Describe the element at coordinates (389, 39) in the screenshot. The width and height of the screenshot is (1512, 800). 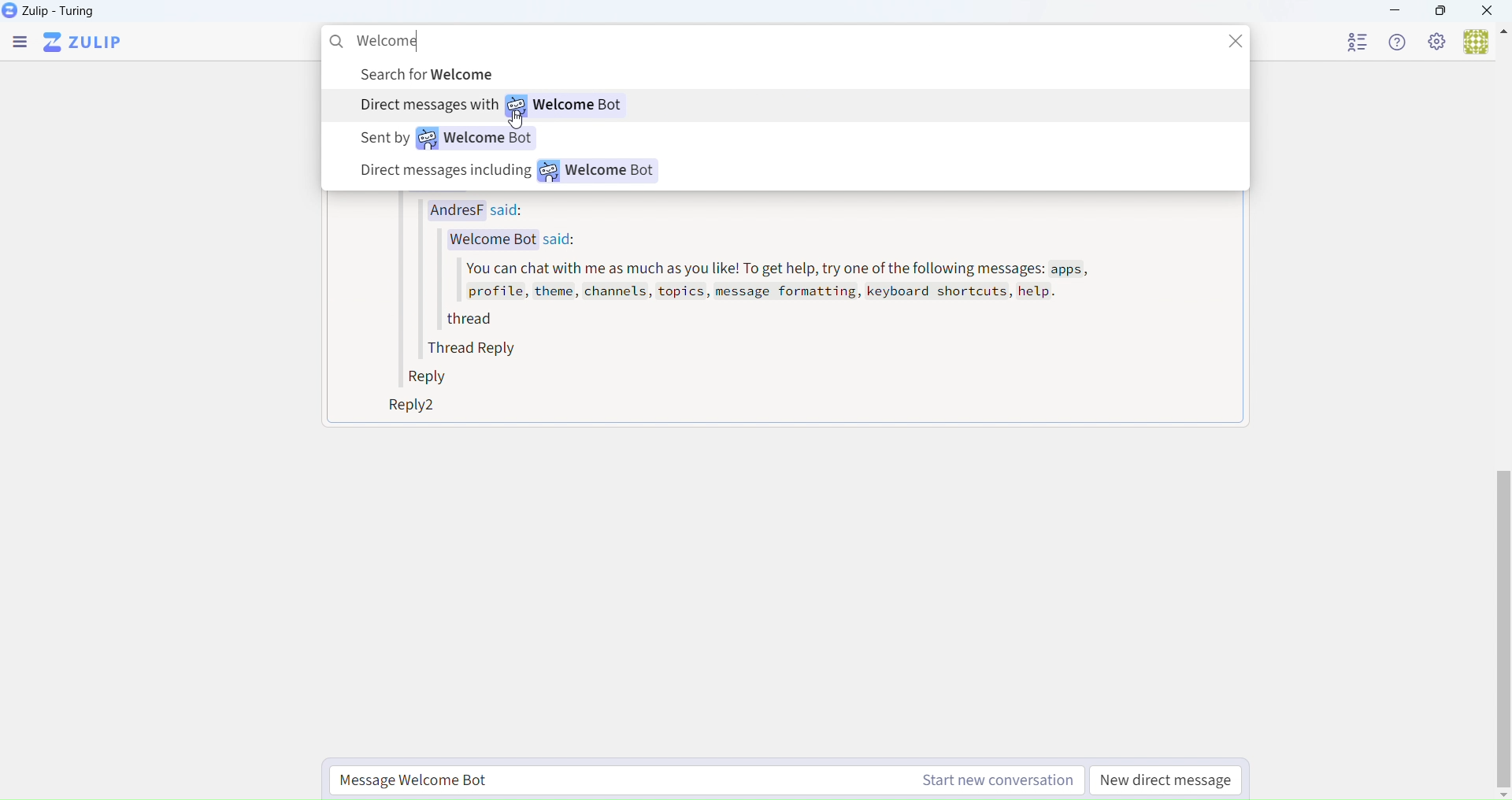
I see `Typed` at that location.